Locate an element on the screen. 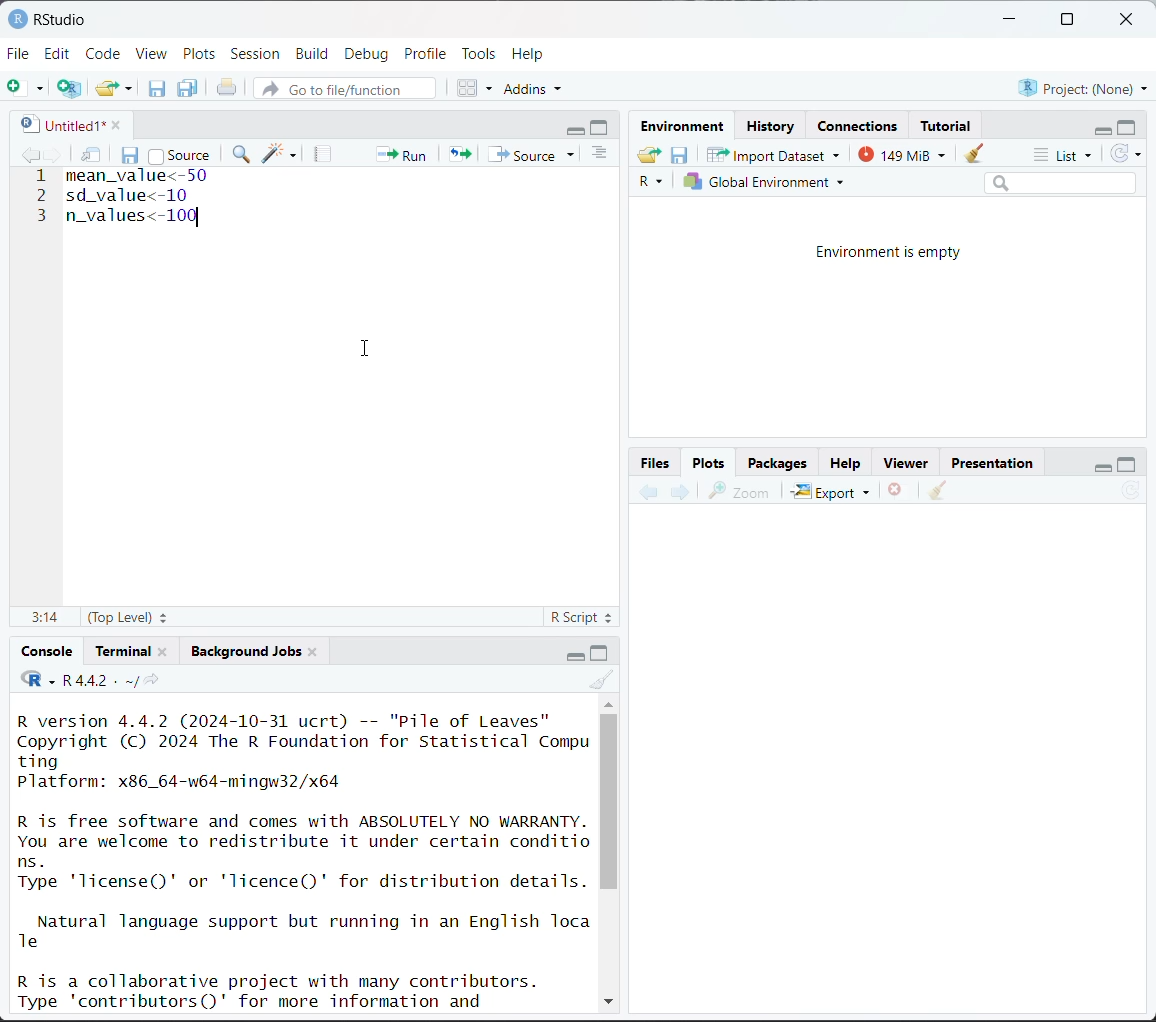 Image resolution: width=1156 pixels, height=1022 pixels. Environment is empty is located at coordinates (890, 253).